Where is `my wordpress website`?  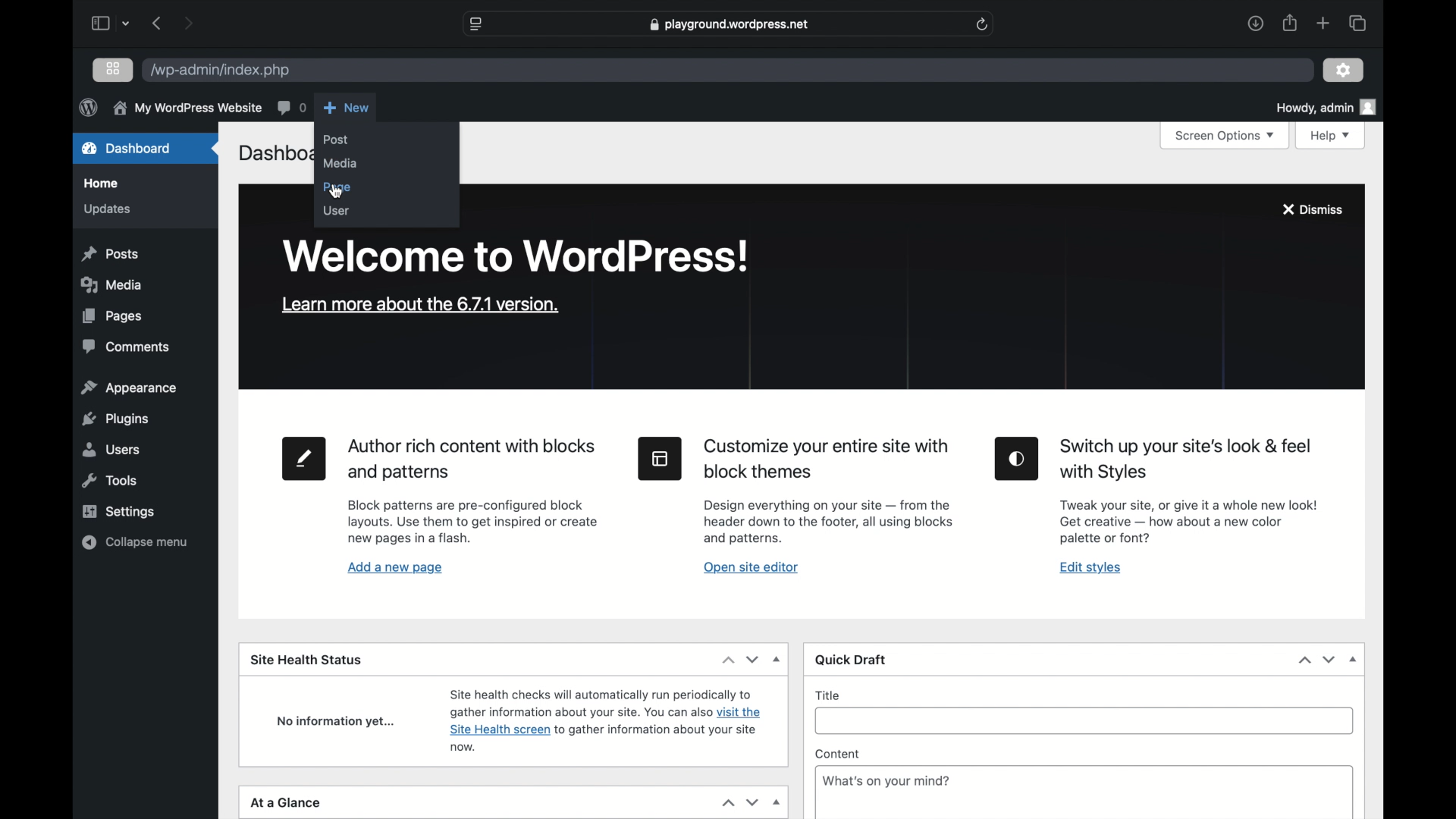
my wordpress website is located at coordinates (187, 108).